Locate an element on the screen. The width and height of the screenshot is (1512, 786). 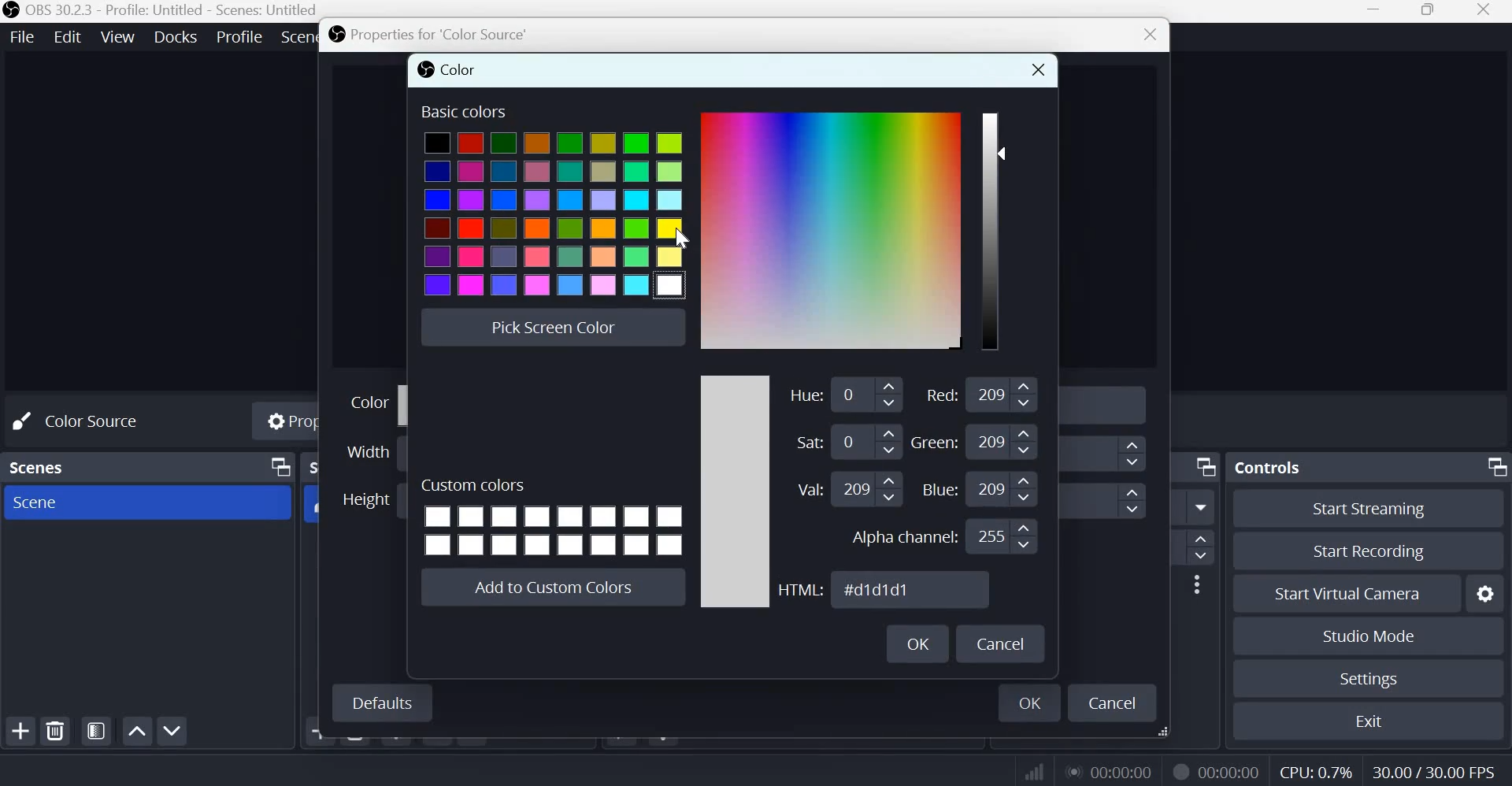
Recording Timer is located at coordinates (1231, 771).